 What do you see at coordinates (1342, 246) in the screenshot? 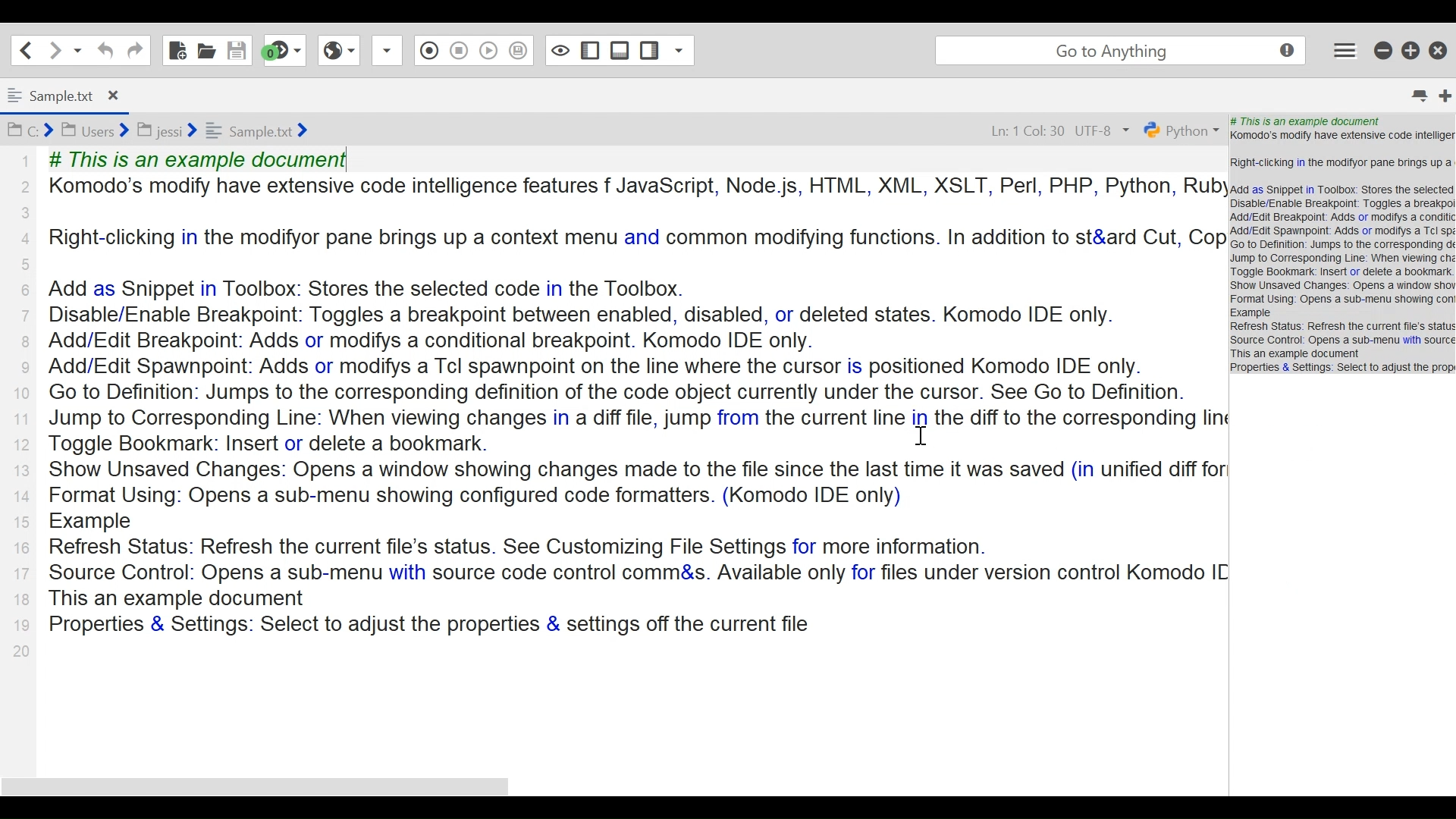
I see `# This is an example document
Komodo's modify have extensive code intellige
Right-clicking in the modifyor pane brings up a
Add as Snippet in Toolbox: Stores the selected
Disable/Enable Breakpoint: Toggles a breakpo
Add/Edit Breakpoint: Adds or modifys a condi
Add/Edit Spawnpoint: Adds or modfys a Tel sp
Go to Definition: Jumps to the corresponding d
Jump to Corresponding Line: When viewing ch
Toggle Bookmark: Insert or delete a bookmark
Show Unsaved Changes: Opens a window sho
Format Using: Opens a sub-menu showing cor
Example
Refresh Status: Refresh the current fie’s statu
Source Control: Opens a sub-menu with sourc
This an example document
Properties & Settings: Select to adjust the prog` at bounding box center [1342, 246].